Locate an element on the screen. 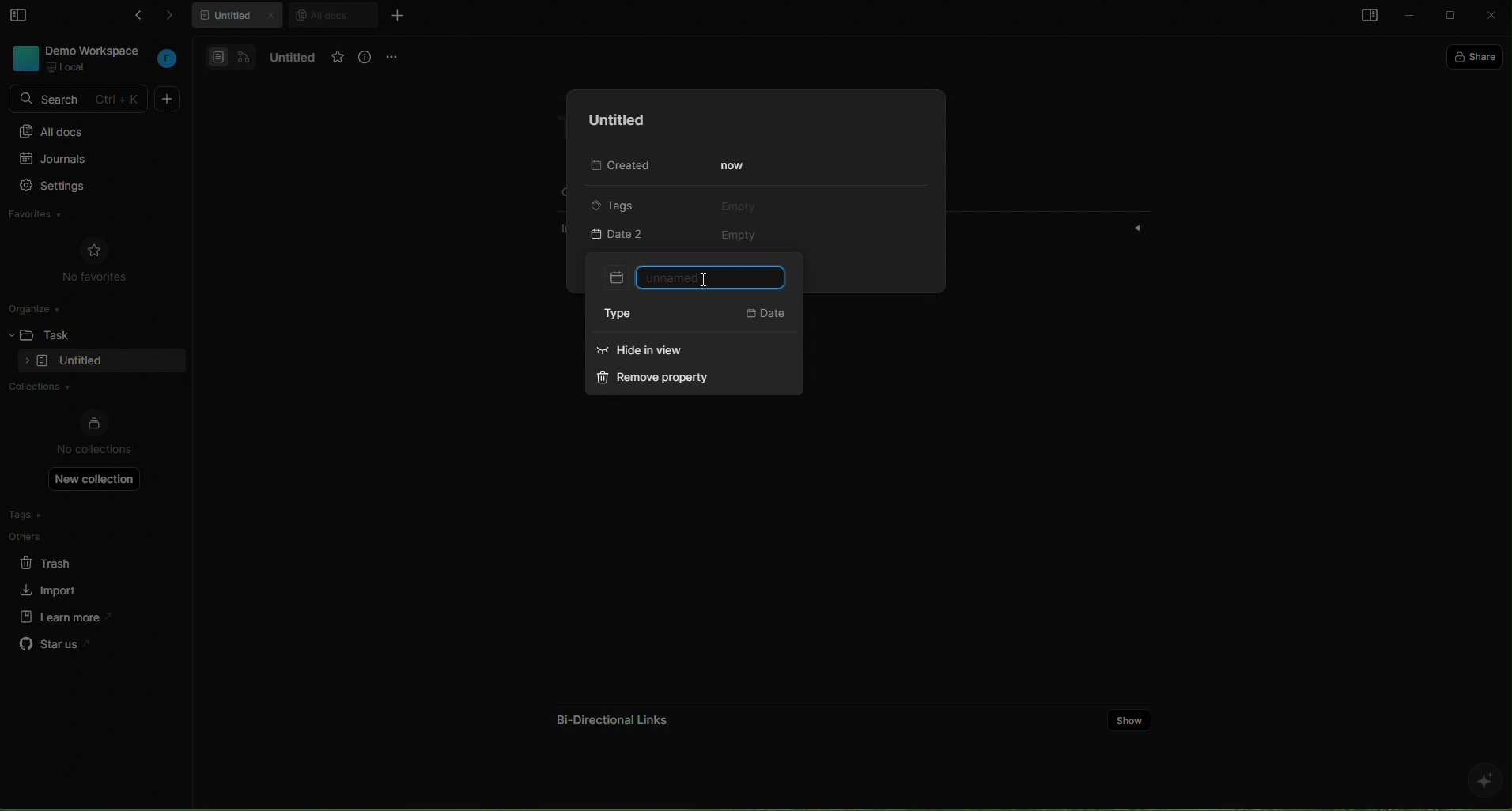 The width and height of the screenshot is (1512, 811). all docs is located at coordinates (332, 14).